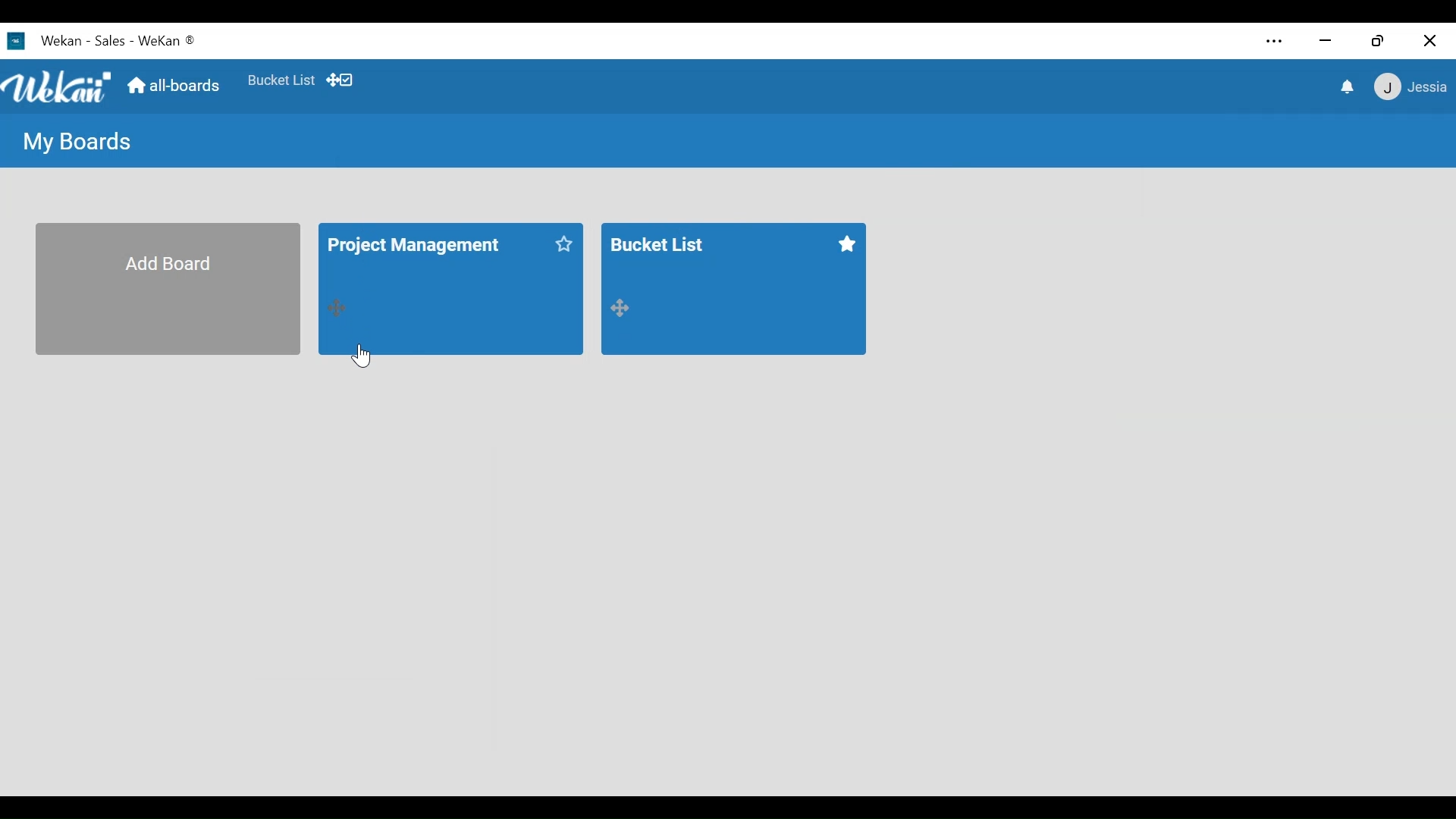  Describe the element at coordinates (1341, 86) in the screenshot. I see `notifications` at that location.